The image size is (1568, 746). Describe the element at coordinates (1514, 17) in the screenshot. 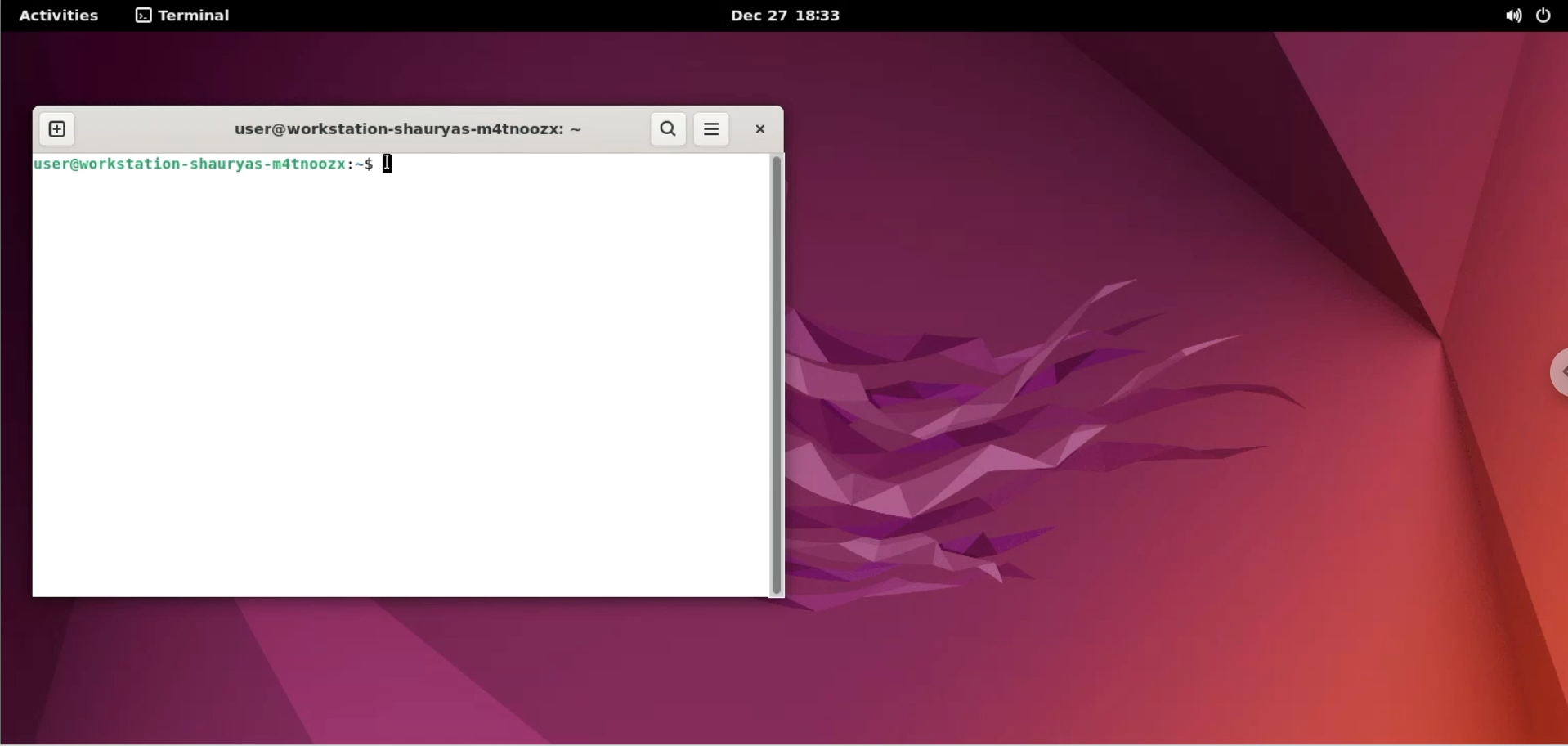

I see `Sound` at that location.